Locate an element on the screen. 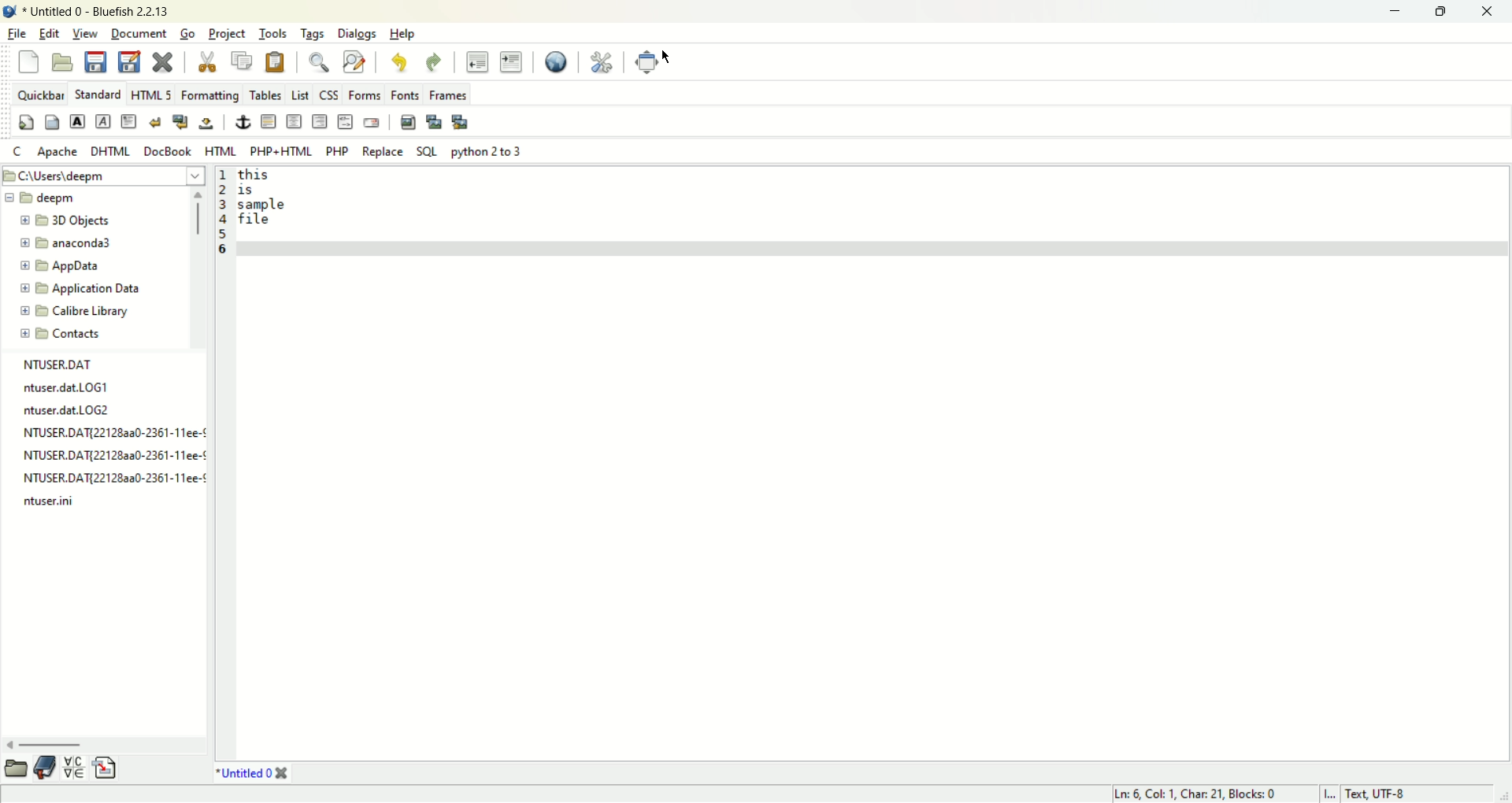  multi thumbnail is located at coordinates (460, 121).